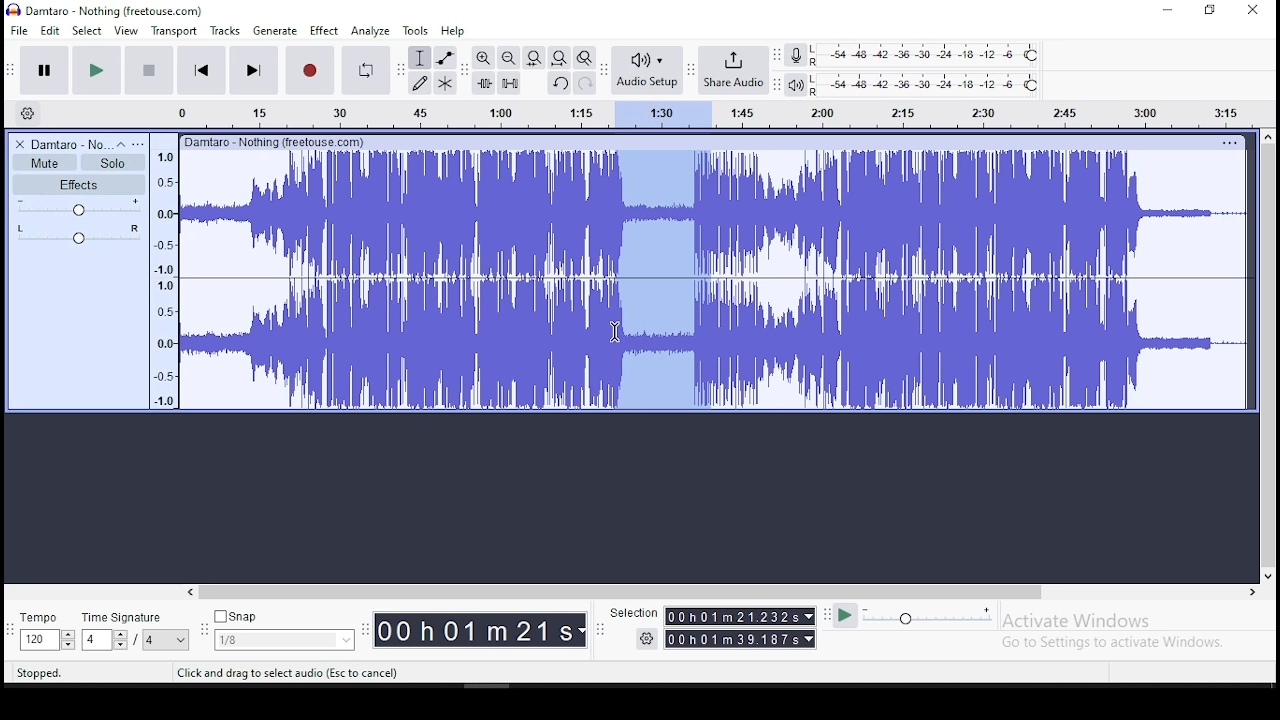 The width and height of the screenshot is (1280, 720). Describe the element at coordinates (845, 616) in the screenshot. I see `Play` at that location.